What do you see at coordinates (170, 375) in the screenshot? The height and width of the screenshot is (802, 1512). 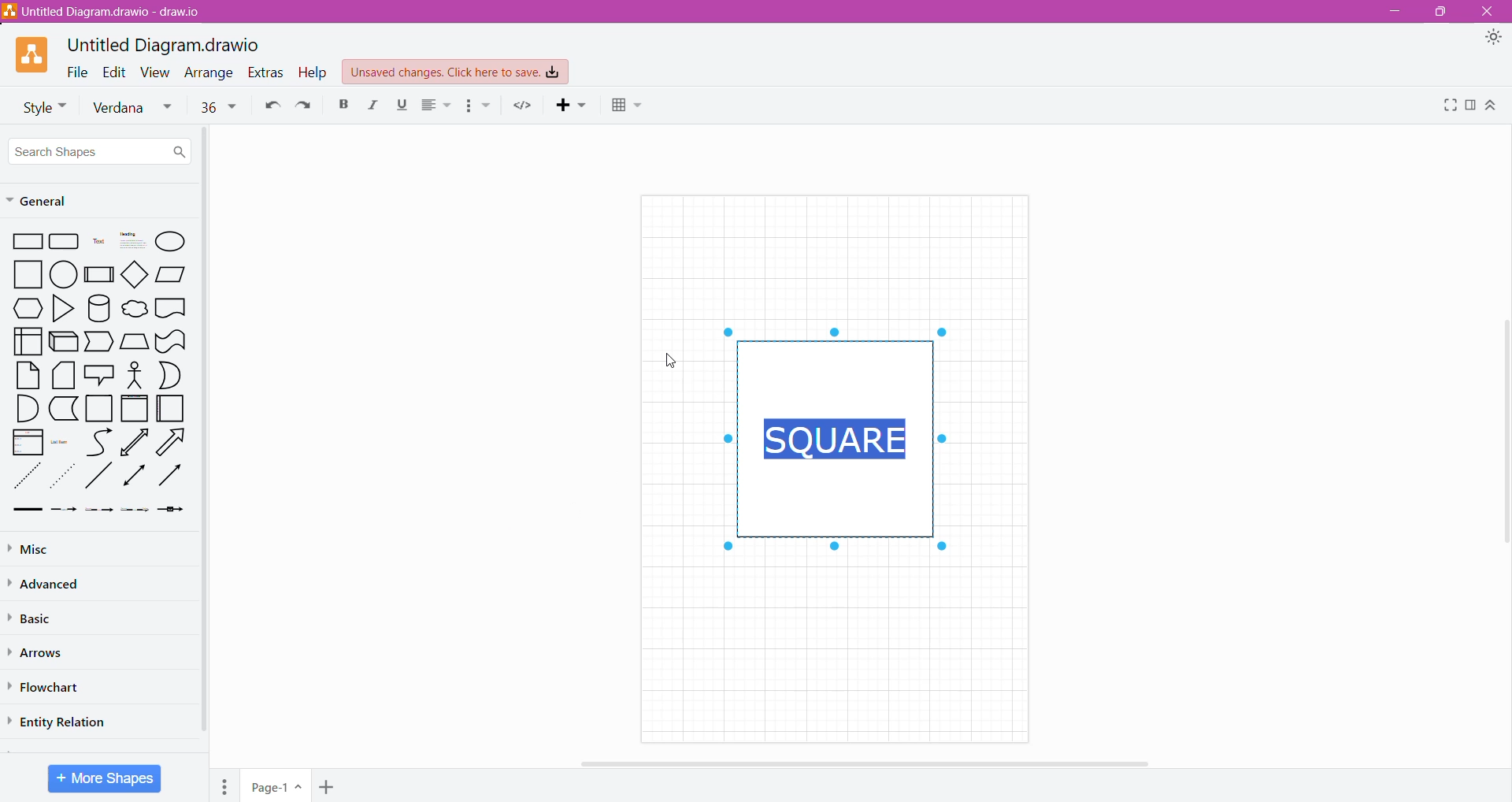 I see `Half Circle` at bounding box center [170, 375].